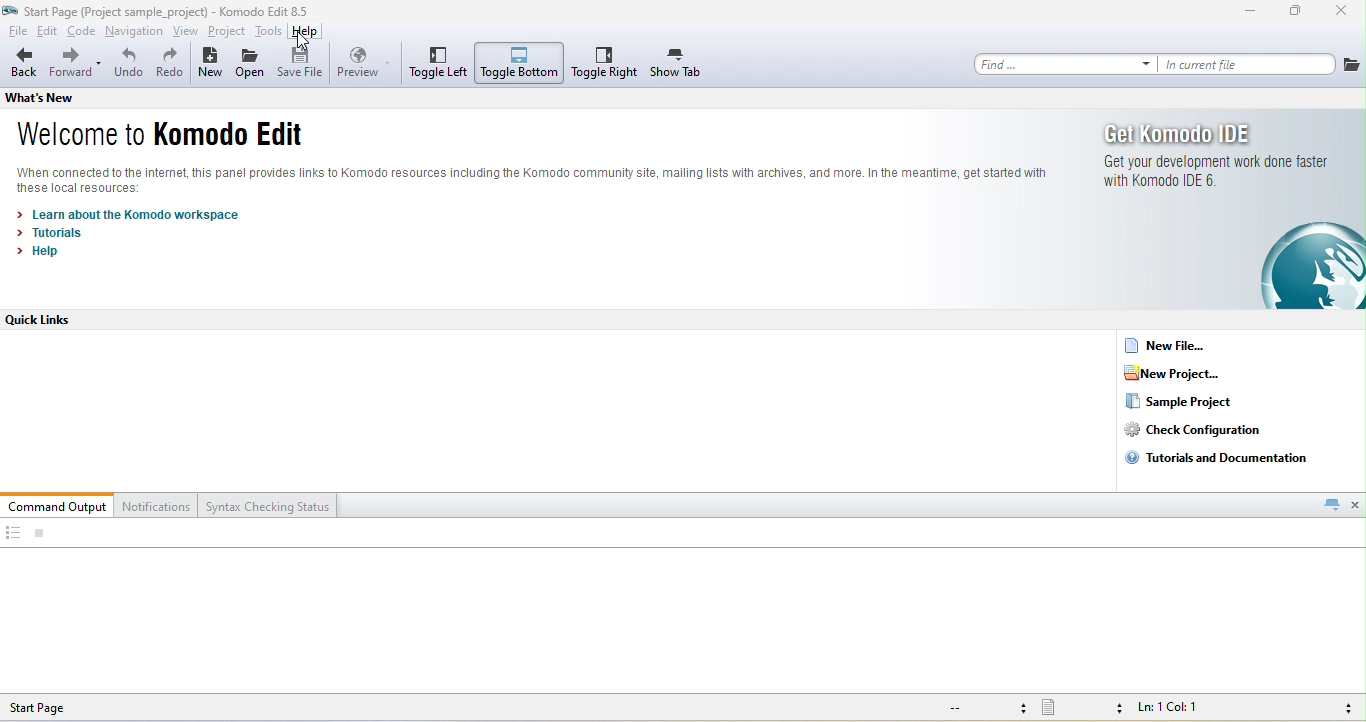  What do you see at coordinates (504, 180) in the screenshot?
I see `connect to internet to see related resouces` at bounding box center [504, 180].